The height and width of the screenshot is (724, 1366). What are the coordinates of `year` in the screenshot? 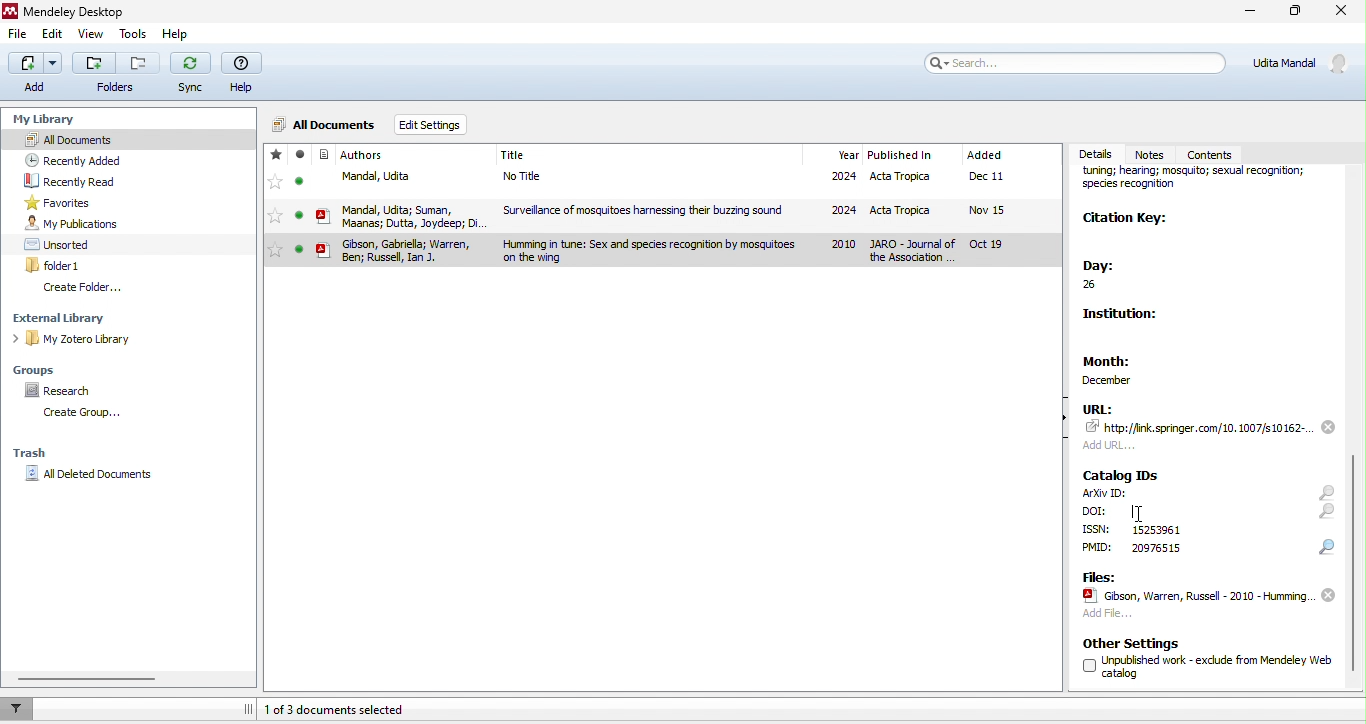 It's located at (847, 155).